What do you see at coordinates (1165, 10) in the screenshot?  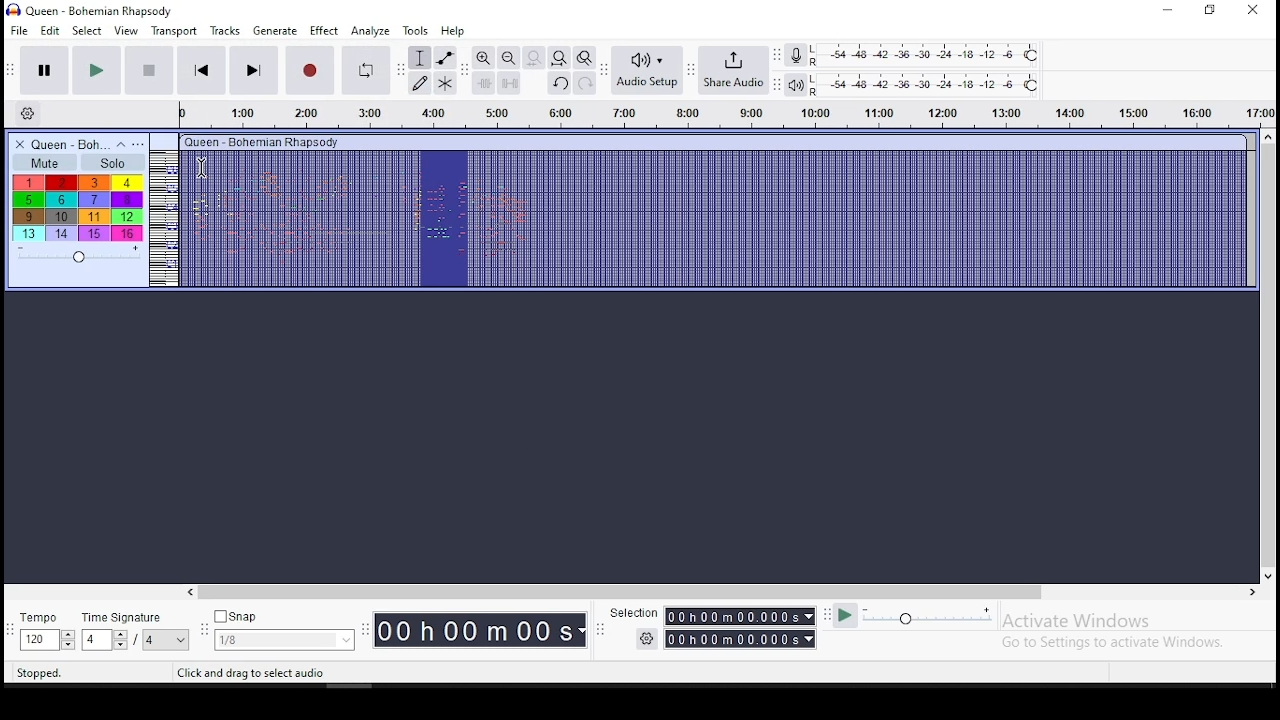 I see `minimize` at bounding box center [1165, 10].